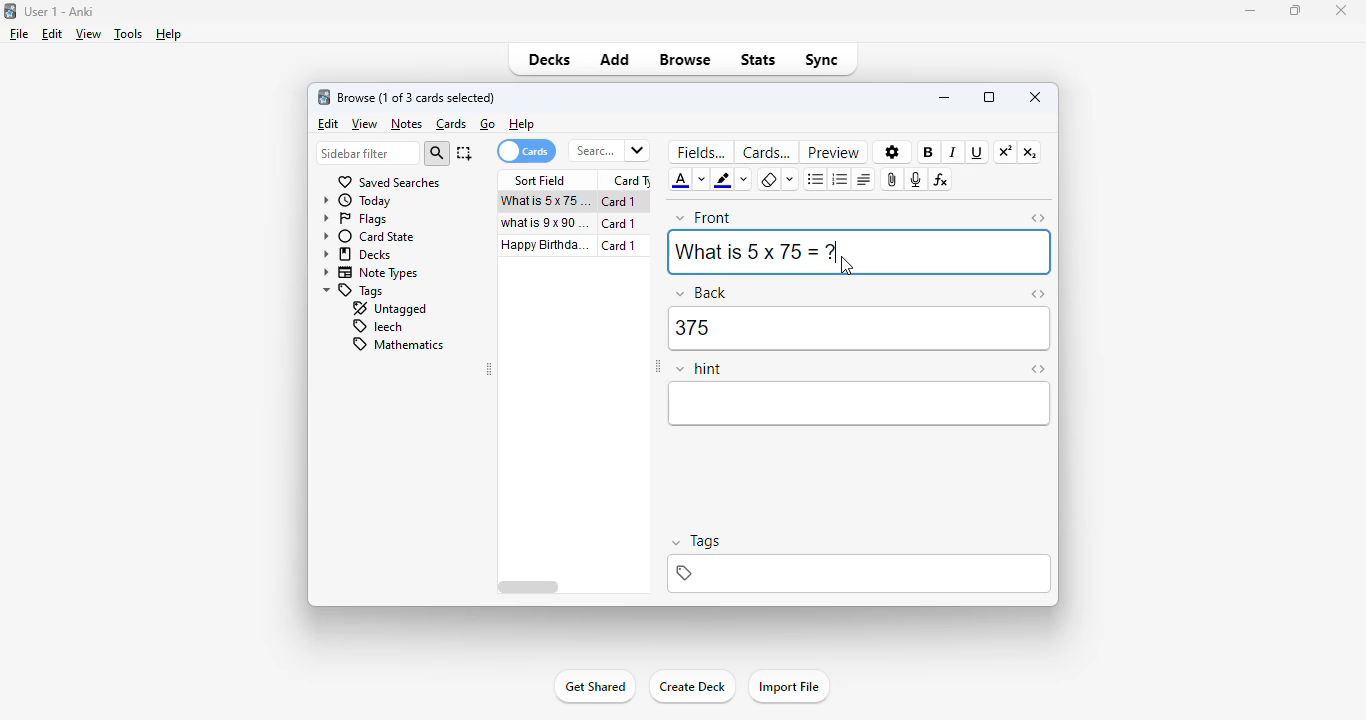 The image size is (1366, 720). I want to click on record audio, so click(917, 179).